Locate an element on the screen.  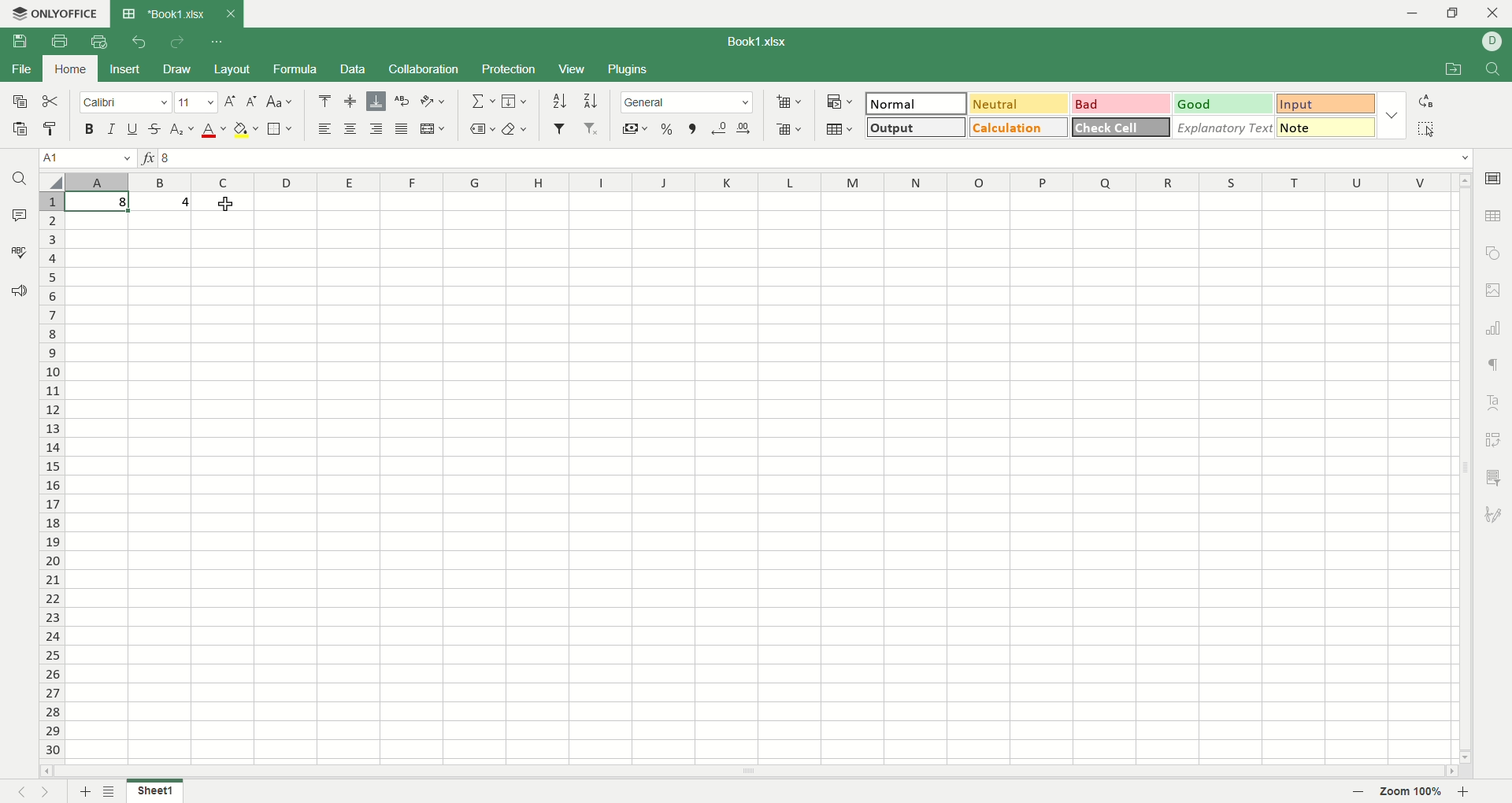
remove cell is located at coordinates (790, 129).